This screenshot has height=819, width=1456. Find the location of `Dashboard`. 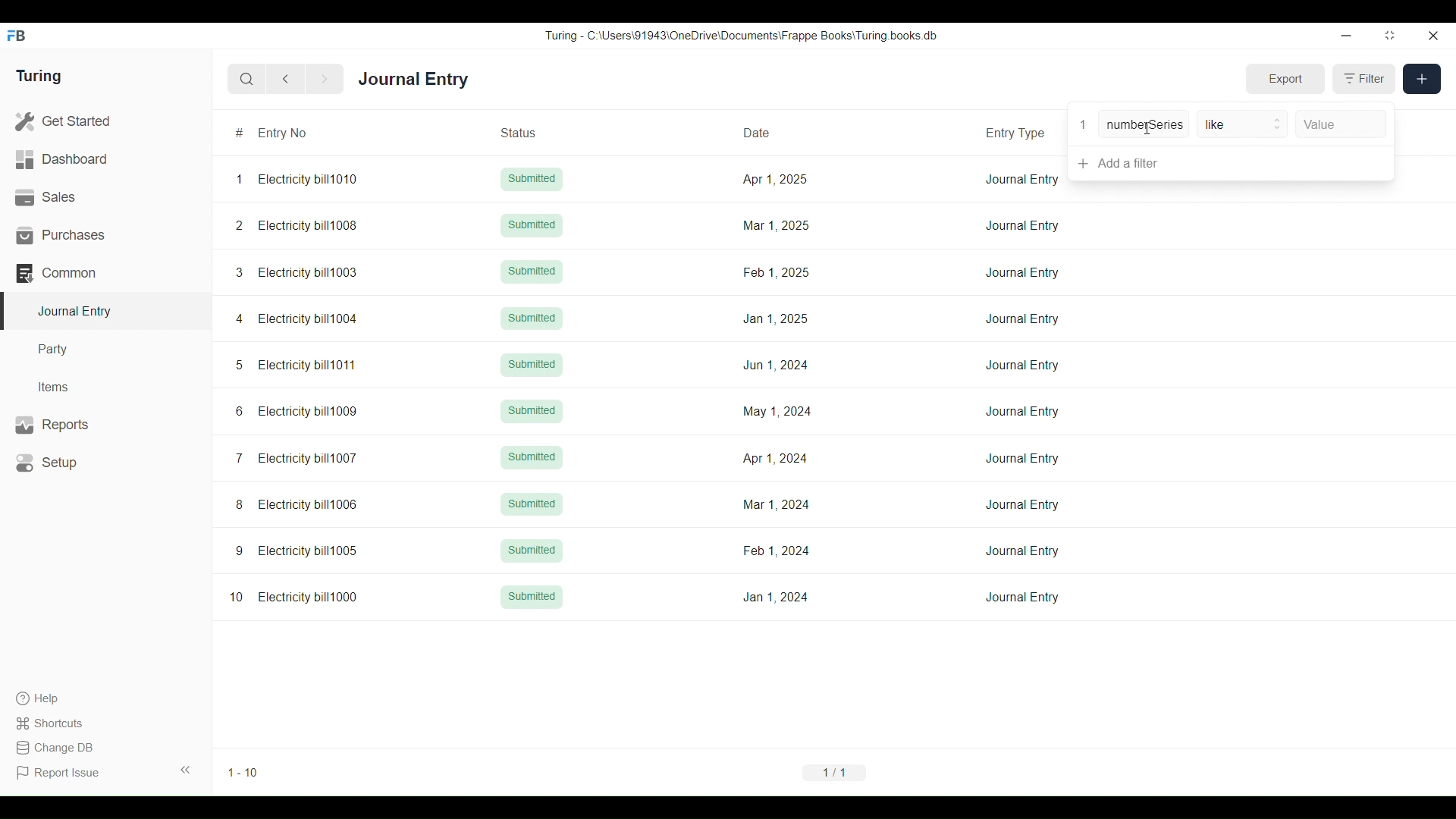

Dashboard is located at coordinates (105, 159).